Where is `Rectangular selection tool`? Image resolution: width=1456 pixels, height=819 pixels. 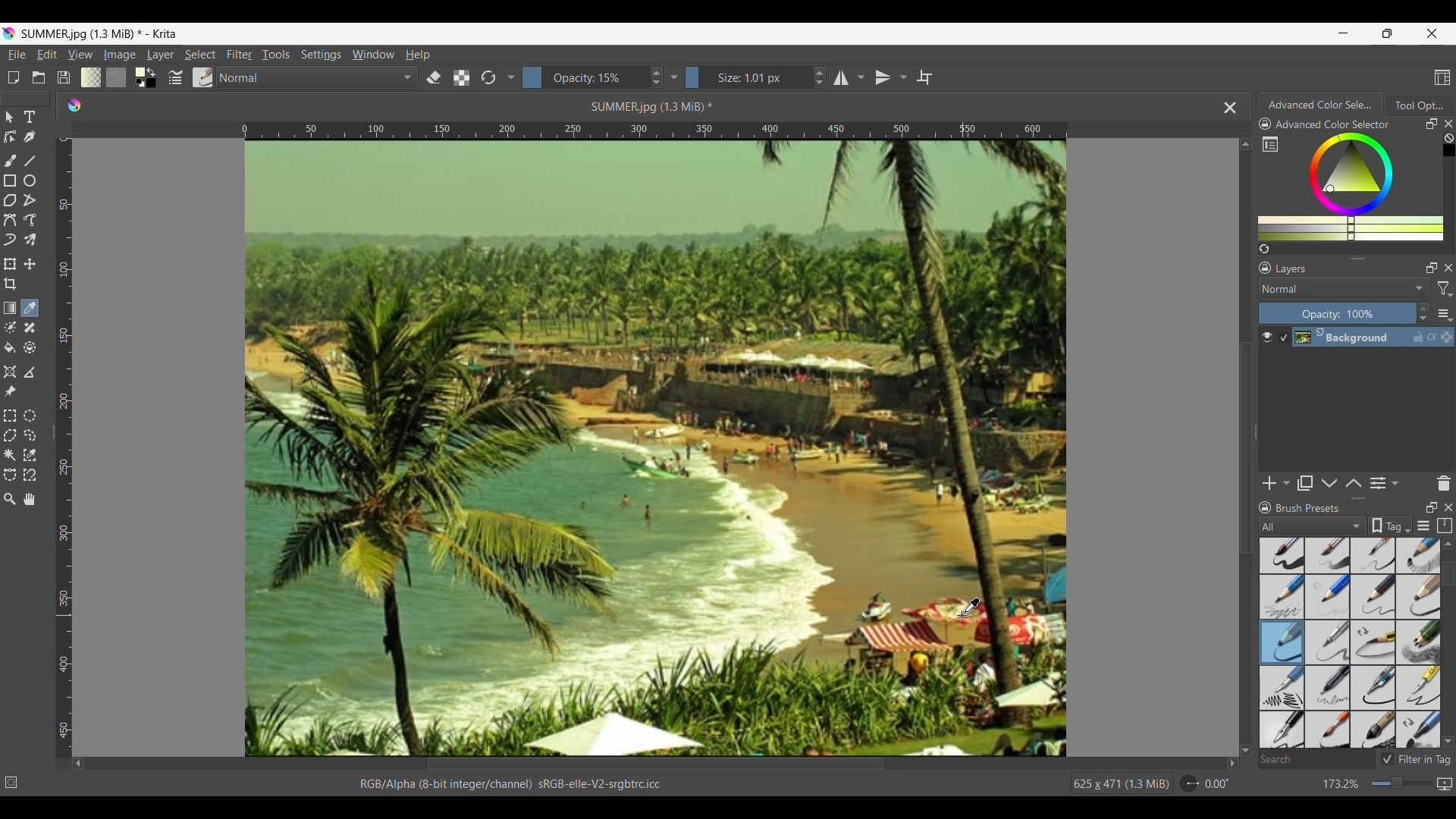
Rectangular selection tool is located at coordinates (10, 416).